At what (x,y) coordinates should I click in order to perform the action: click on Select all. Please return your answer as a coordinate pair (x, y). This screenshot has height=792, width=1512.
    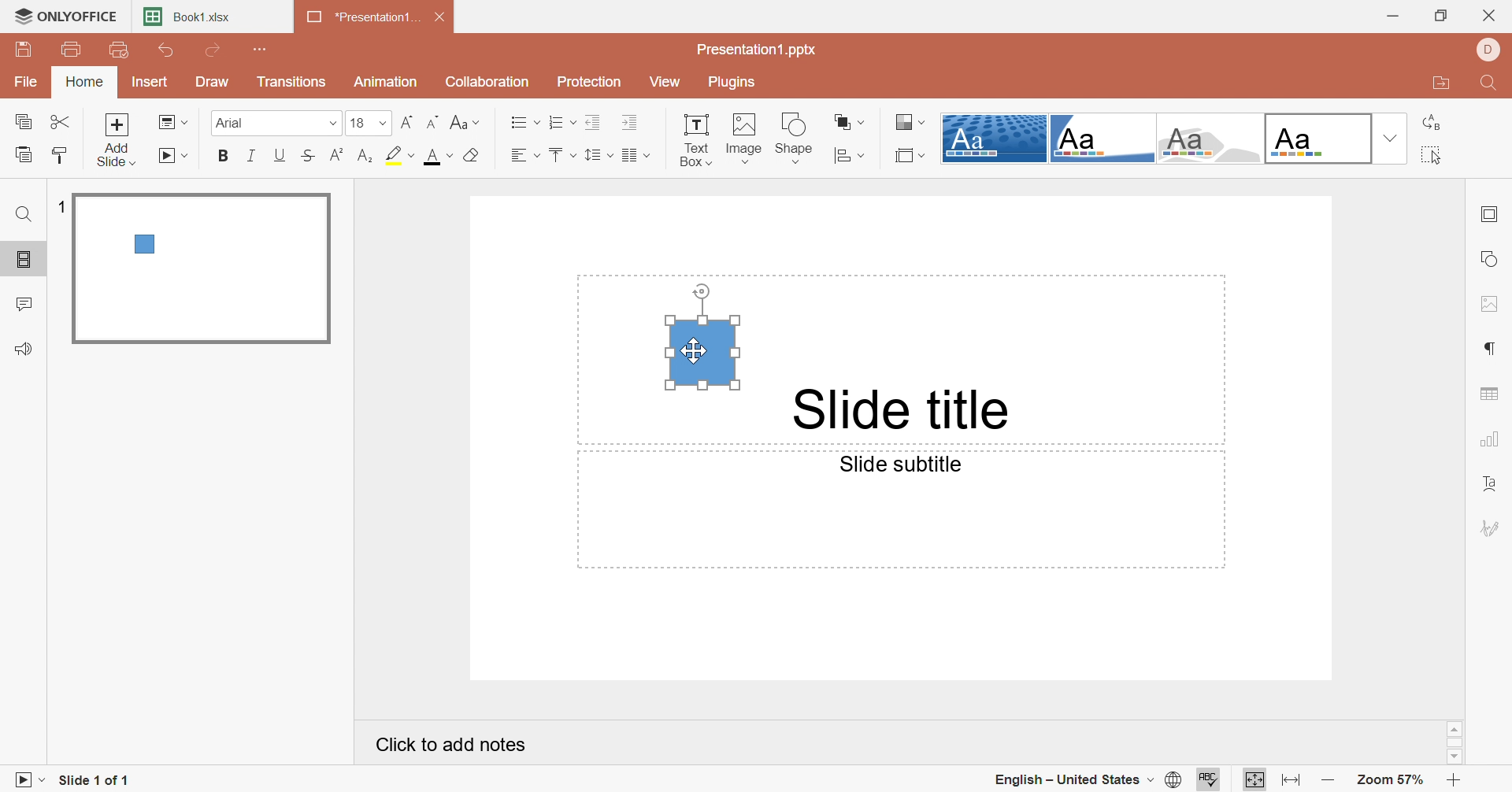
    Looking at the image, I should click on (1433, 157).